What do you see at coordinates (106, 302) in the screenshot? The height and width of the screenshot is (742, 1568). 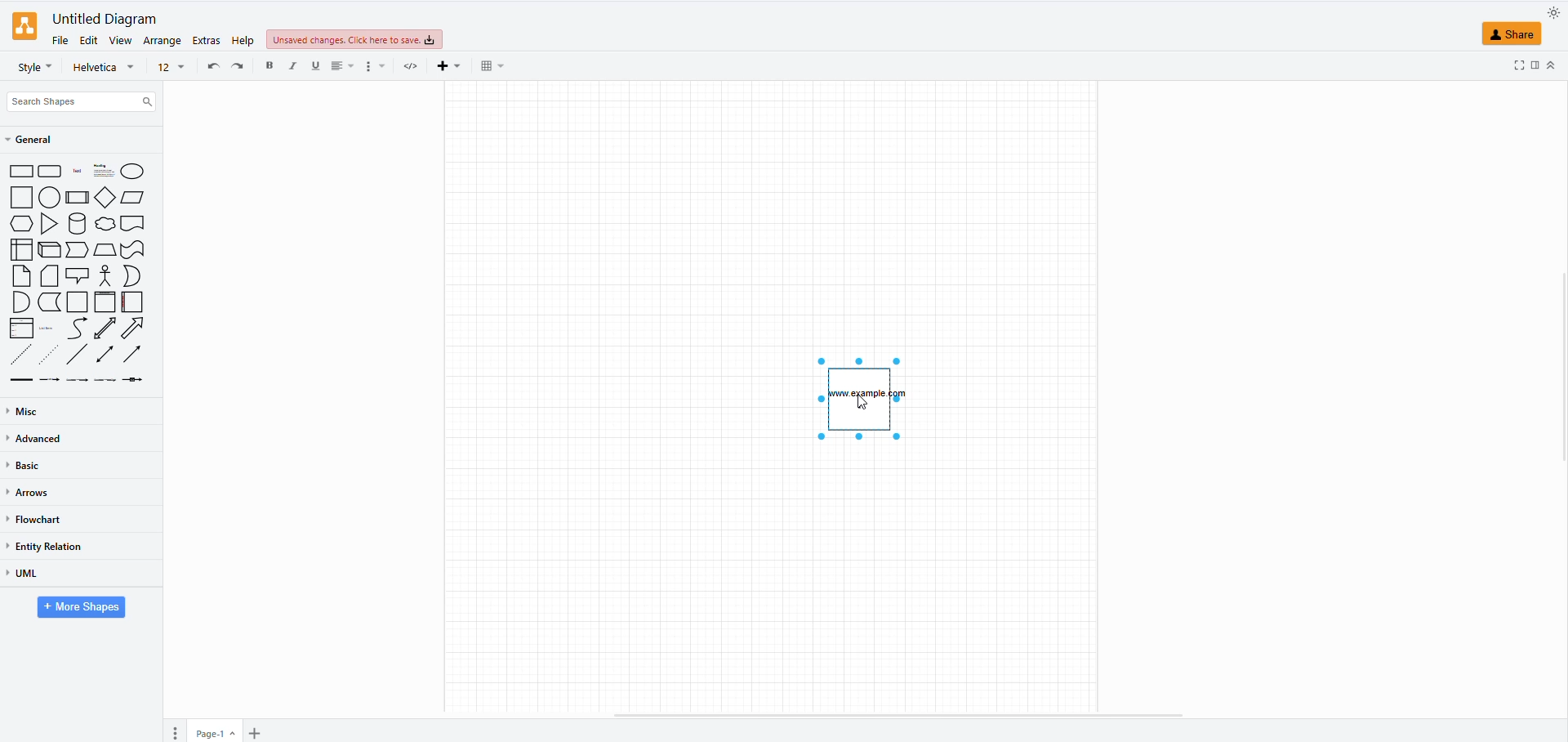 I see `vertical container` at bounding box center [106, 302].